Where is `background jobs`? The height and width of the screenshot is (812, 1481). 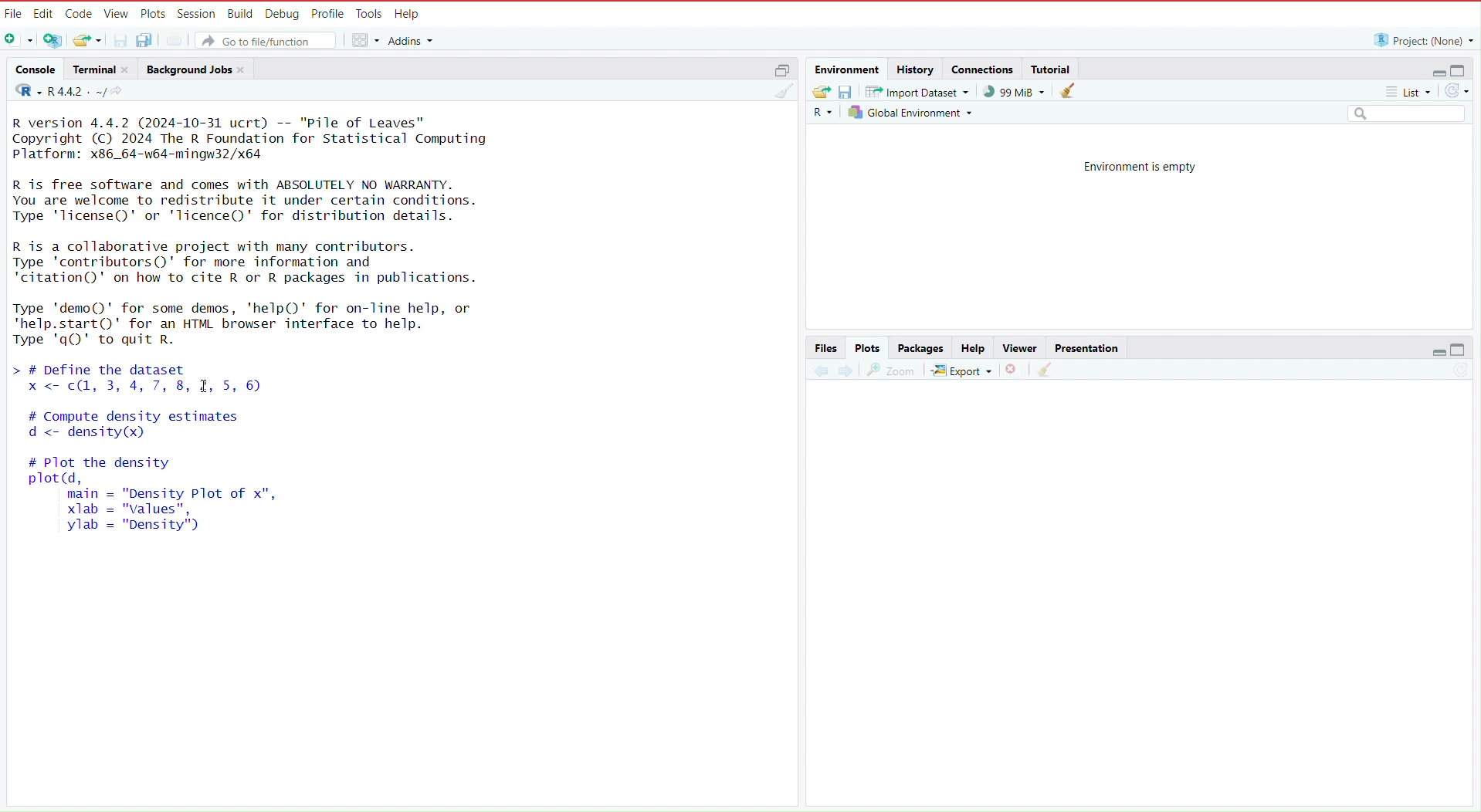
background jobs is located at coordinates (188, 68).